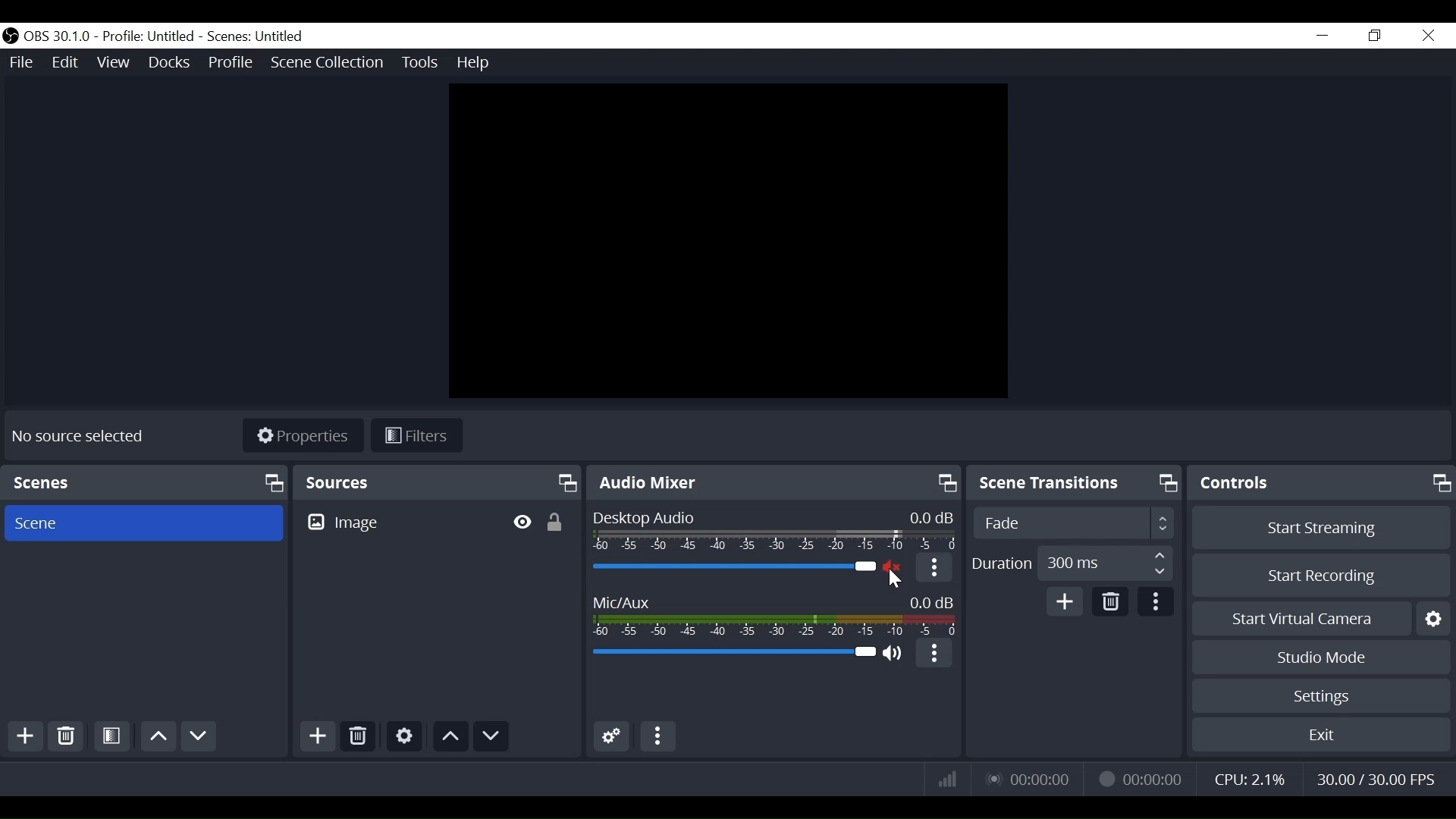 The width and height of the screenshot is (1456, 819). I want to click on OBS Studio Desktop Icon, so click(11, 37).